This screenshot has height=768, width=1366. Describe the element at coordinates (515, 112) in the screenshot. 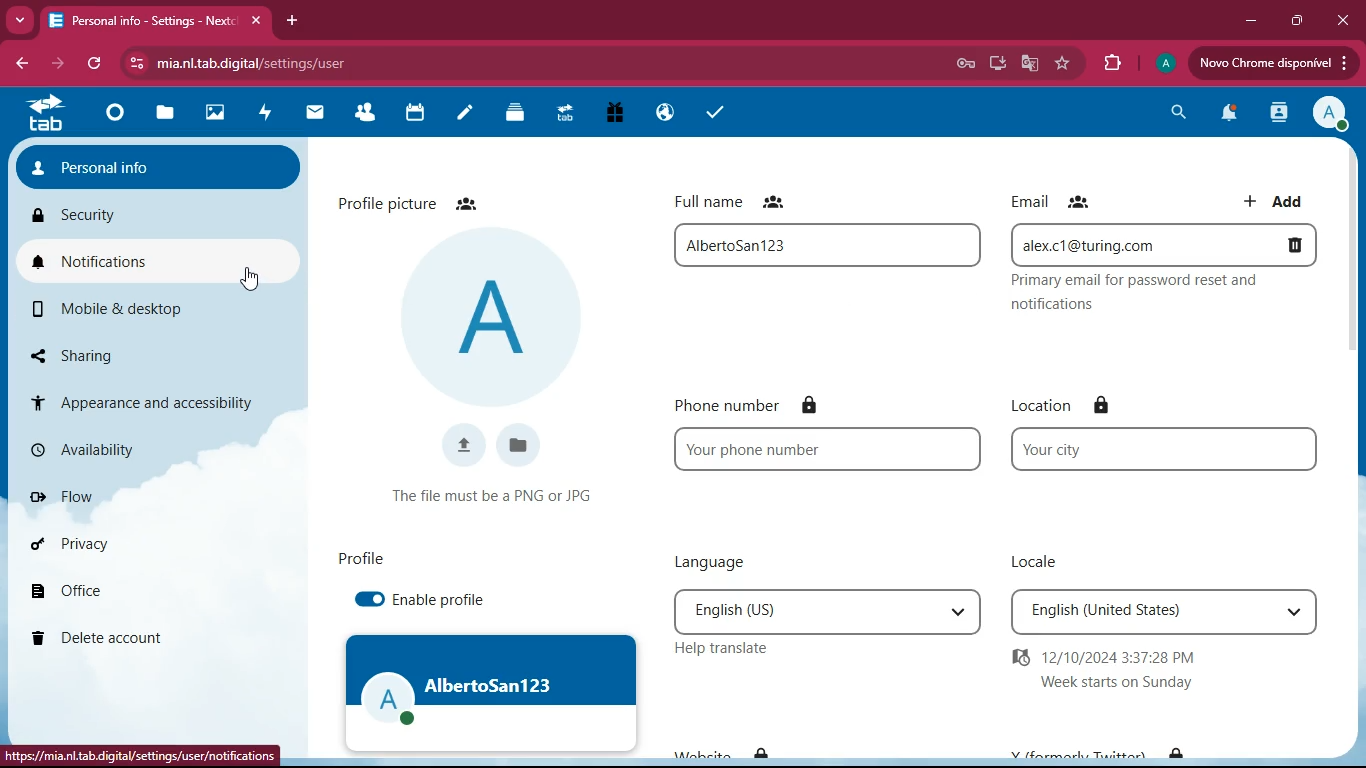

I see `layers` at that location.